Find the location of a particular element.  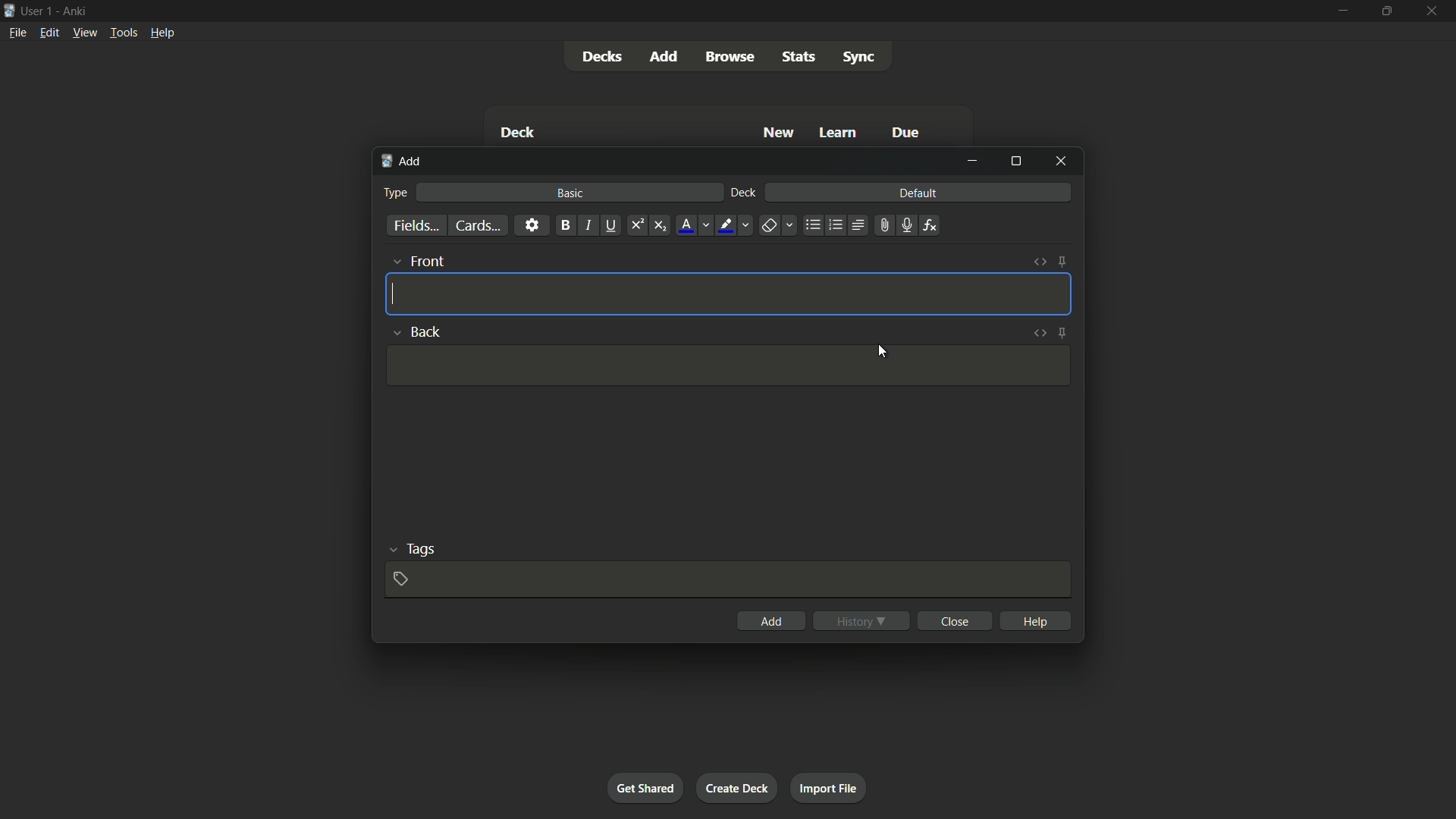

attach file is located at coordinates (884, 225).